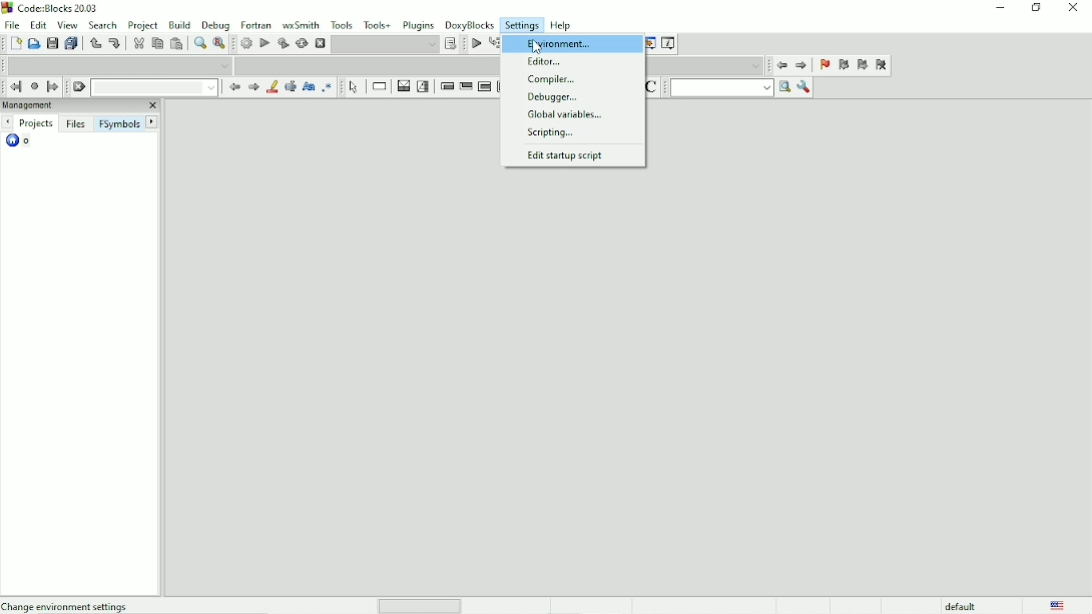 This screenshot has height=614, width=1092. Describe the element at coordinates (550, 97) in the screenshot. I see `Debugger.` at that location.